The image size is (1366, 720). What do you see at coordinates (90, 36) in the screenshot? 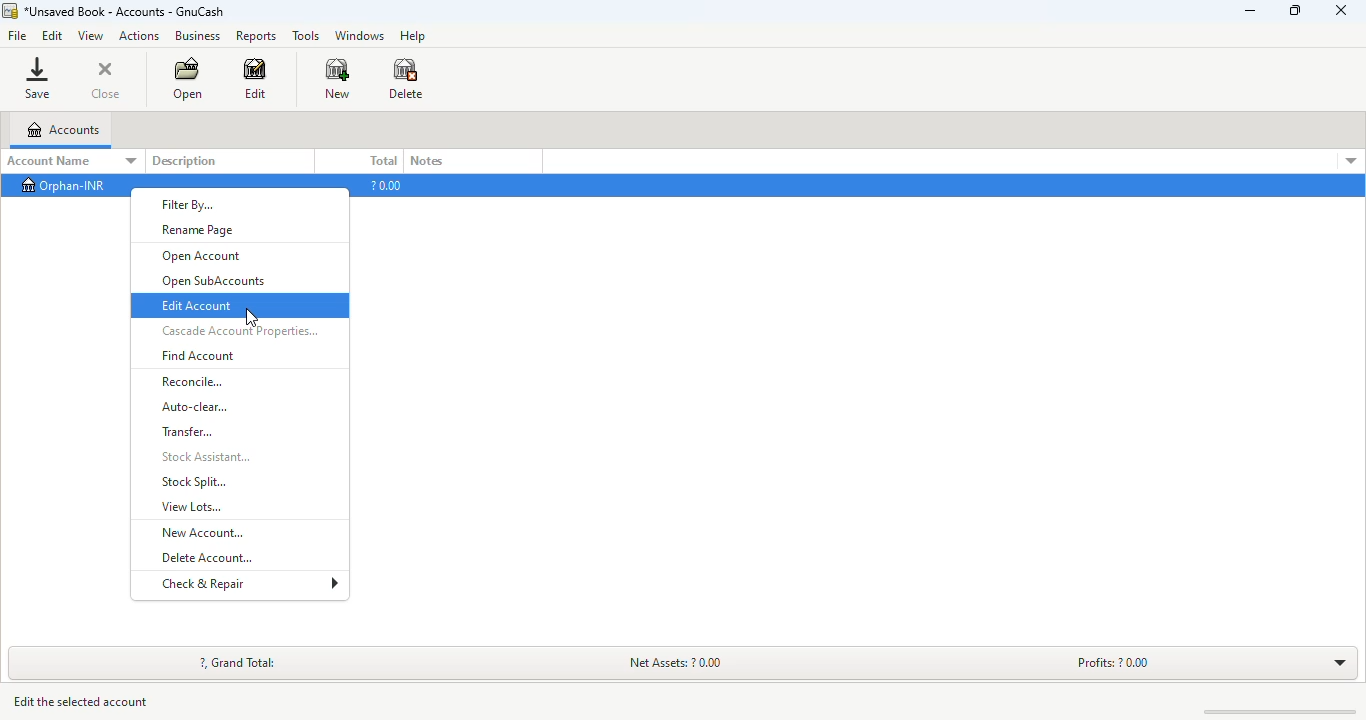
I see `view` at bounding box center [90, 36].